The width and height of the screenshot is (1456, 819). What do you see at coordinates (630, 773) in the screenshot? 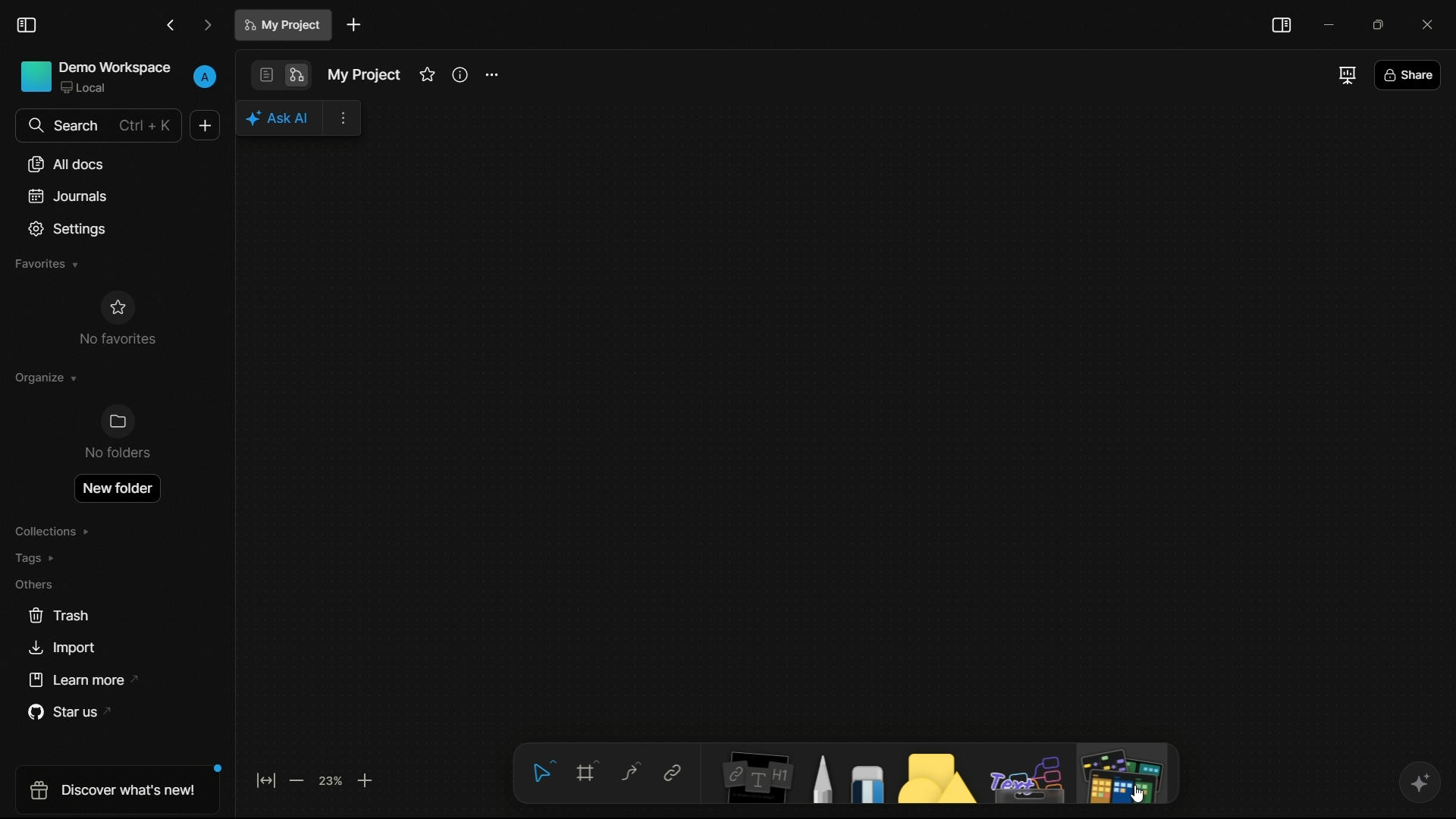
I see `connectors` at bounding box center [630, 773].